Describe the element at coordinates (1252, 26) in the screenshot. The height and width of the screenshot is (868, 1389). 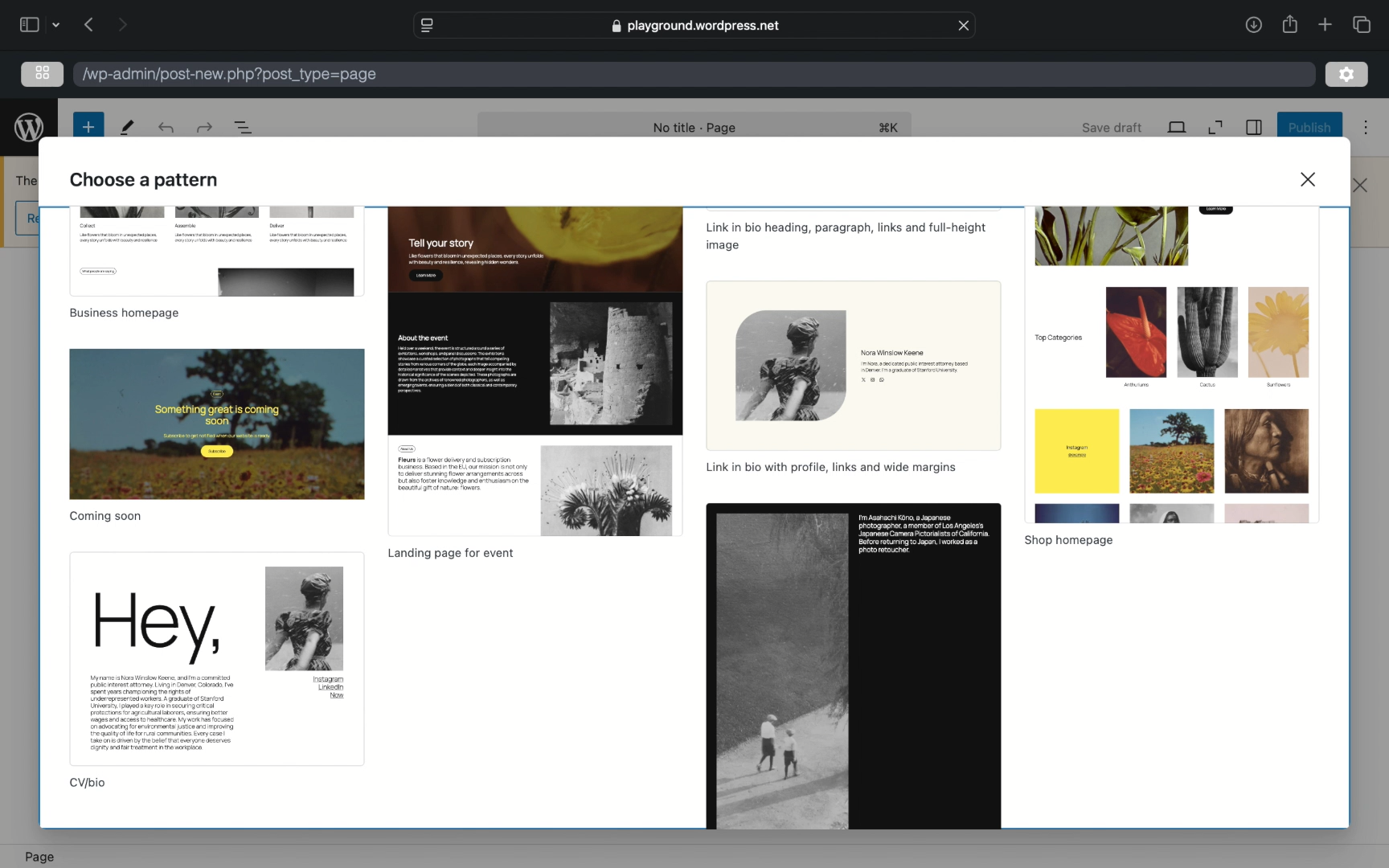
I see `share` at that location.